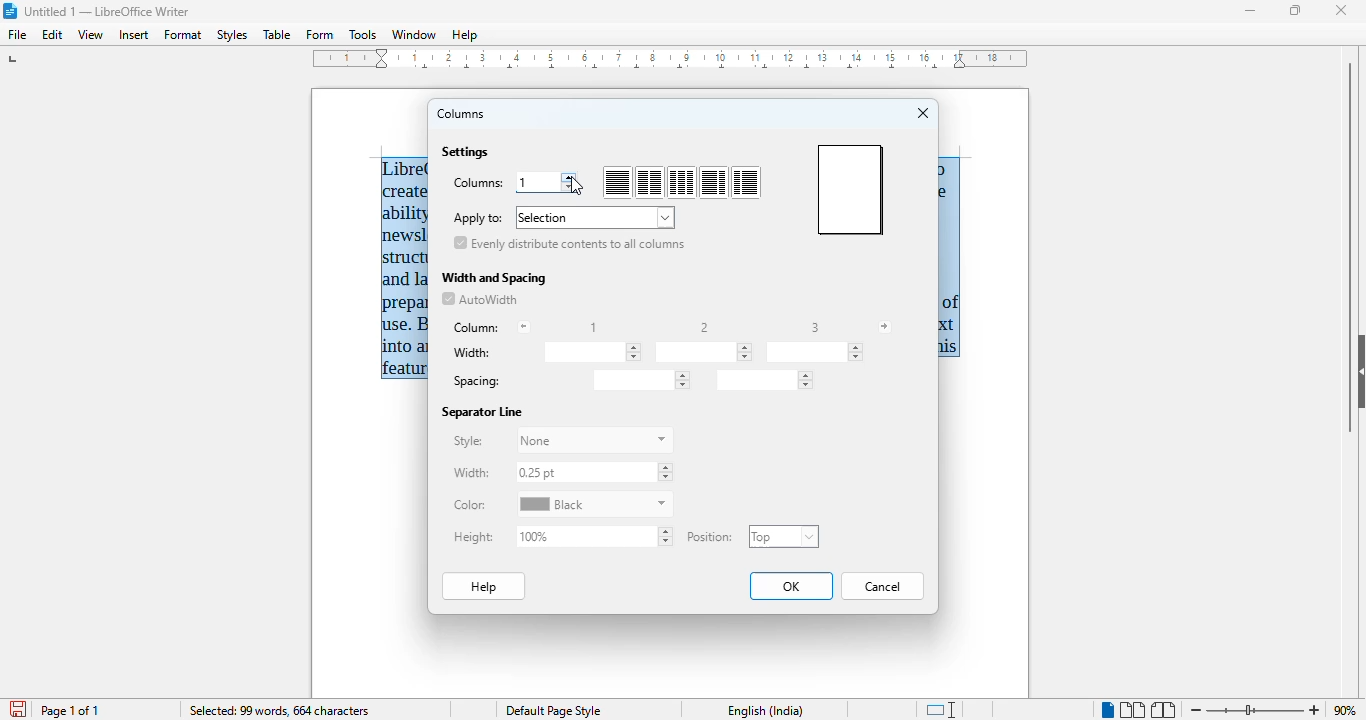 Image resolution: width=1366 pixels, height=720 pixels. What do you see at coordinates (943, 709) in the screenshot?
I see `standard selection` at bounding box center [943, 709].